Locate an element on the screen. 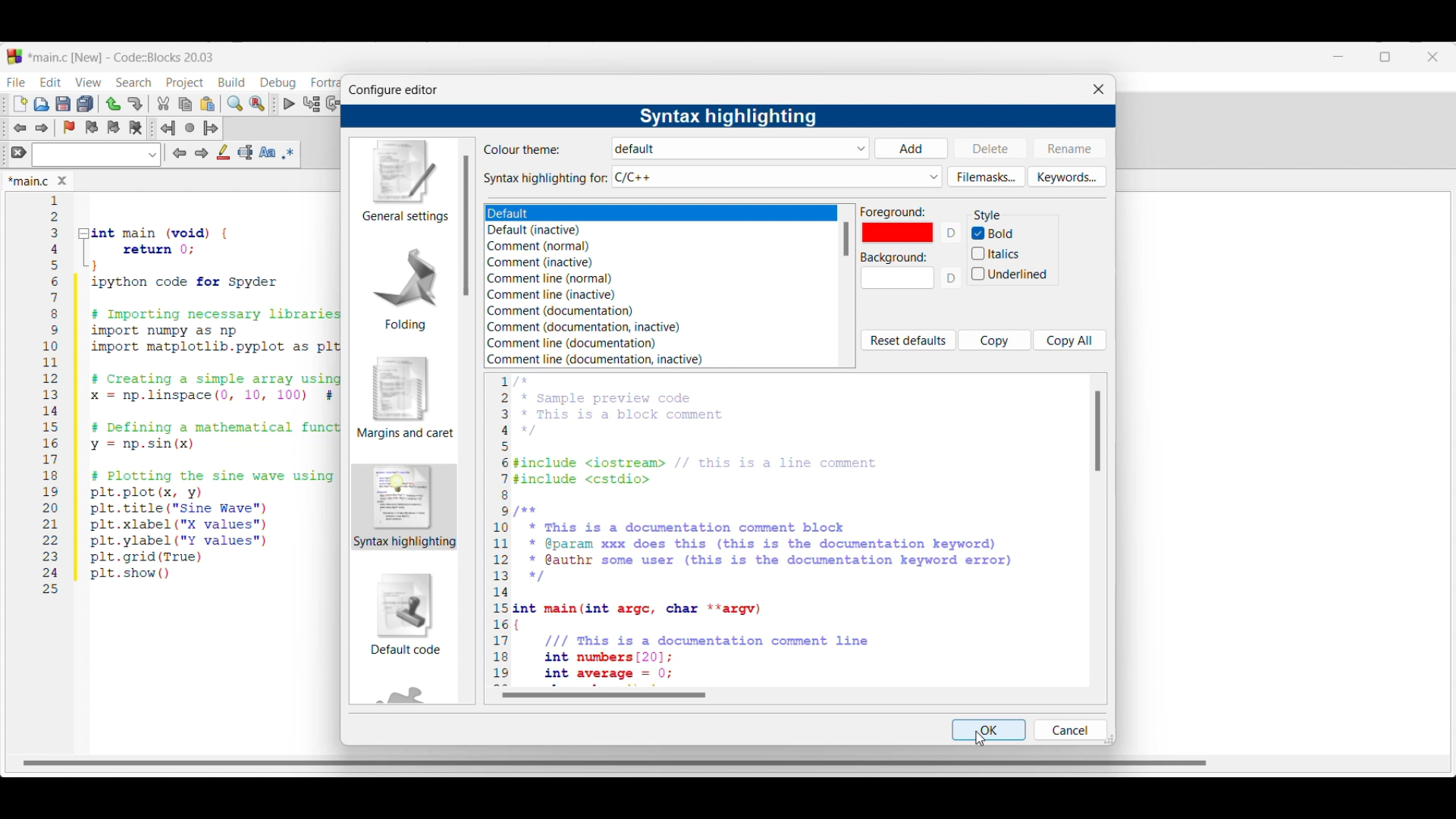 Image resolution: width=1456 pixels, height=819 pixels. Match case is located at coordinates (267, 152).